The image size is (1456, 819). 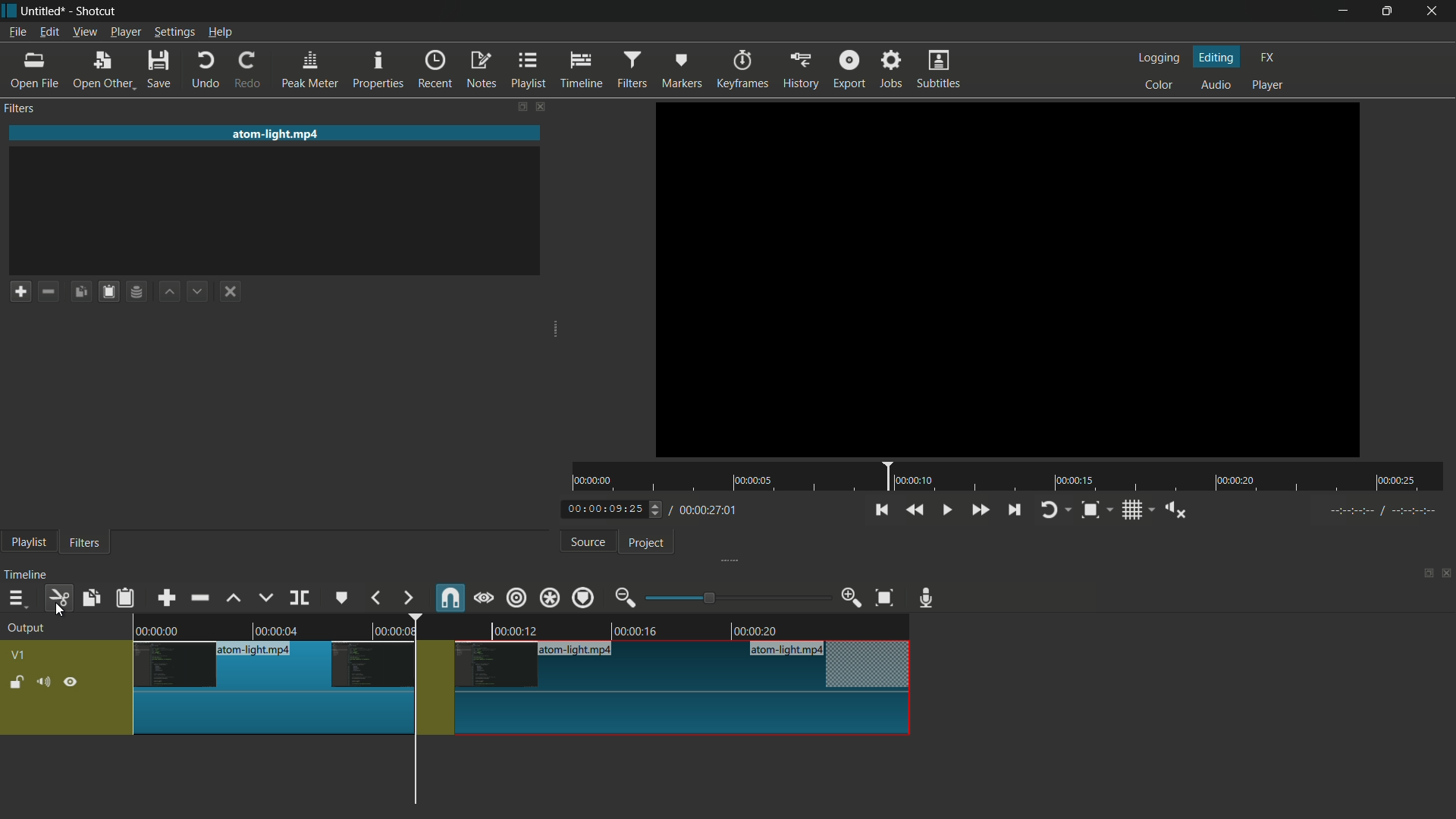 I want to click on maximize, so click(x=1390, y=11).